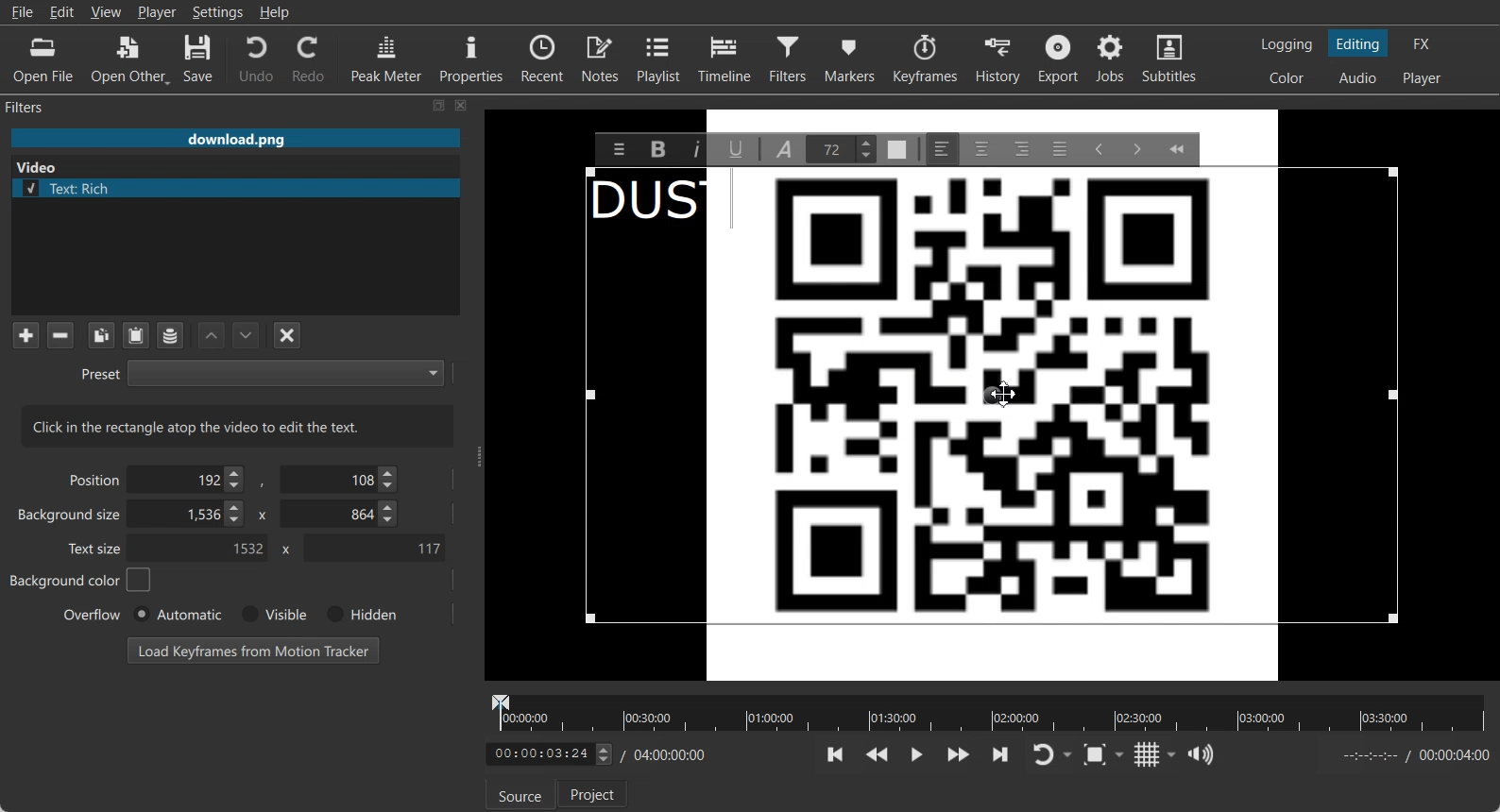  What do you see at coordinates (204, 550) in the screenshot?
I see `Text size X- Co-ordinate` at bounding box center [204, 550].